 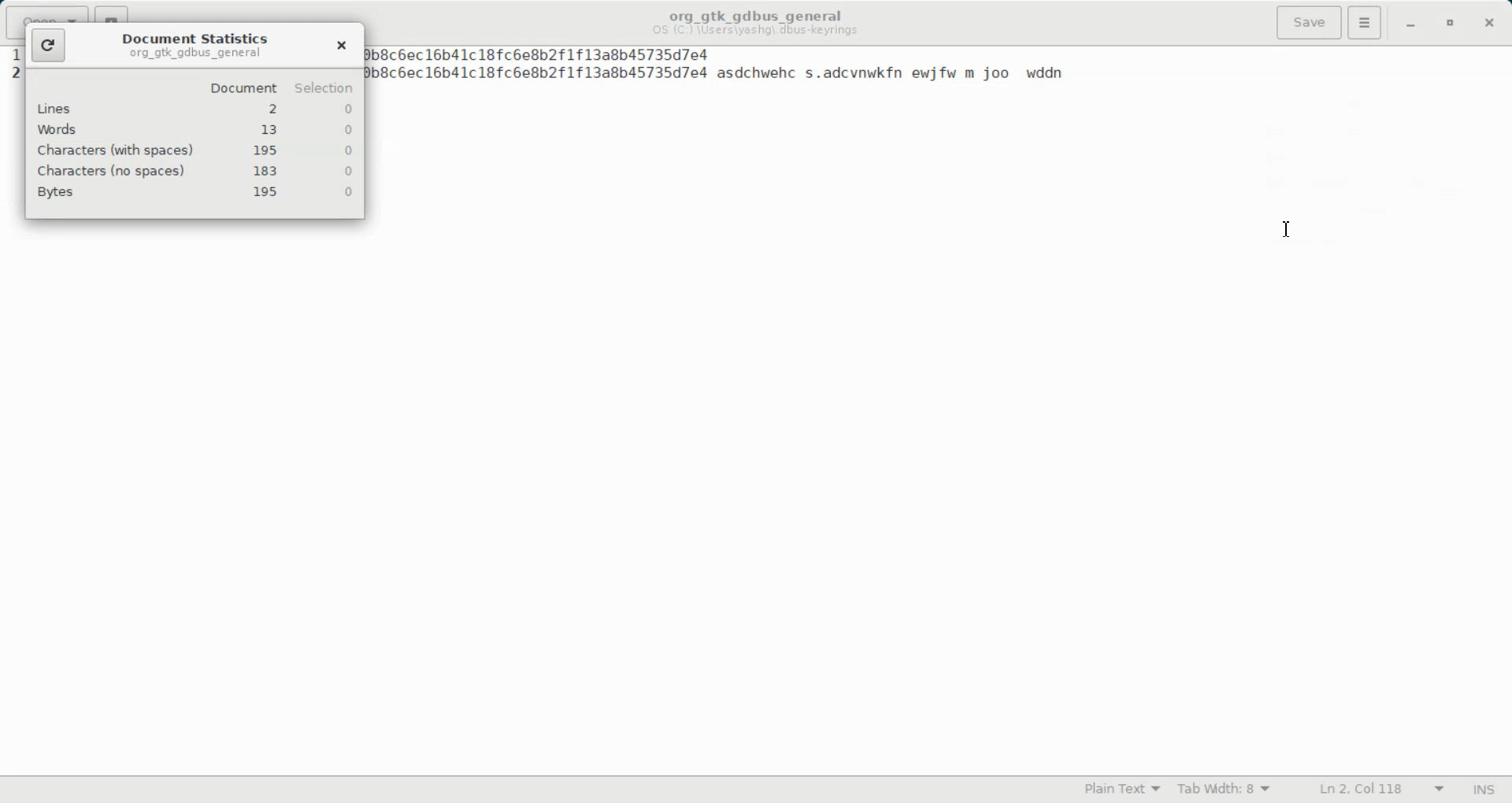 What do you see at coordinates (1120, 789) in the screenshot?
I see `Plain Text` at bounding box center [1120, 789].